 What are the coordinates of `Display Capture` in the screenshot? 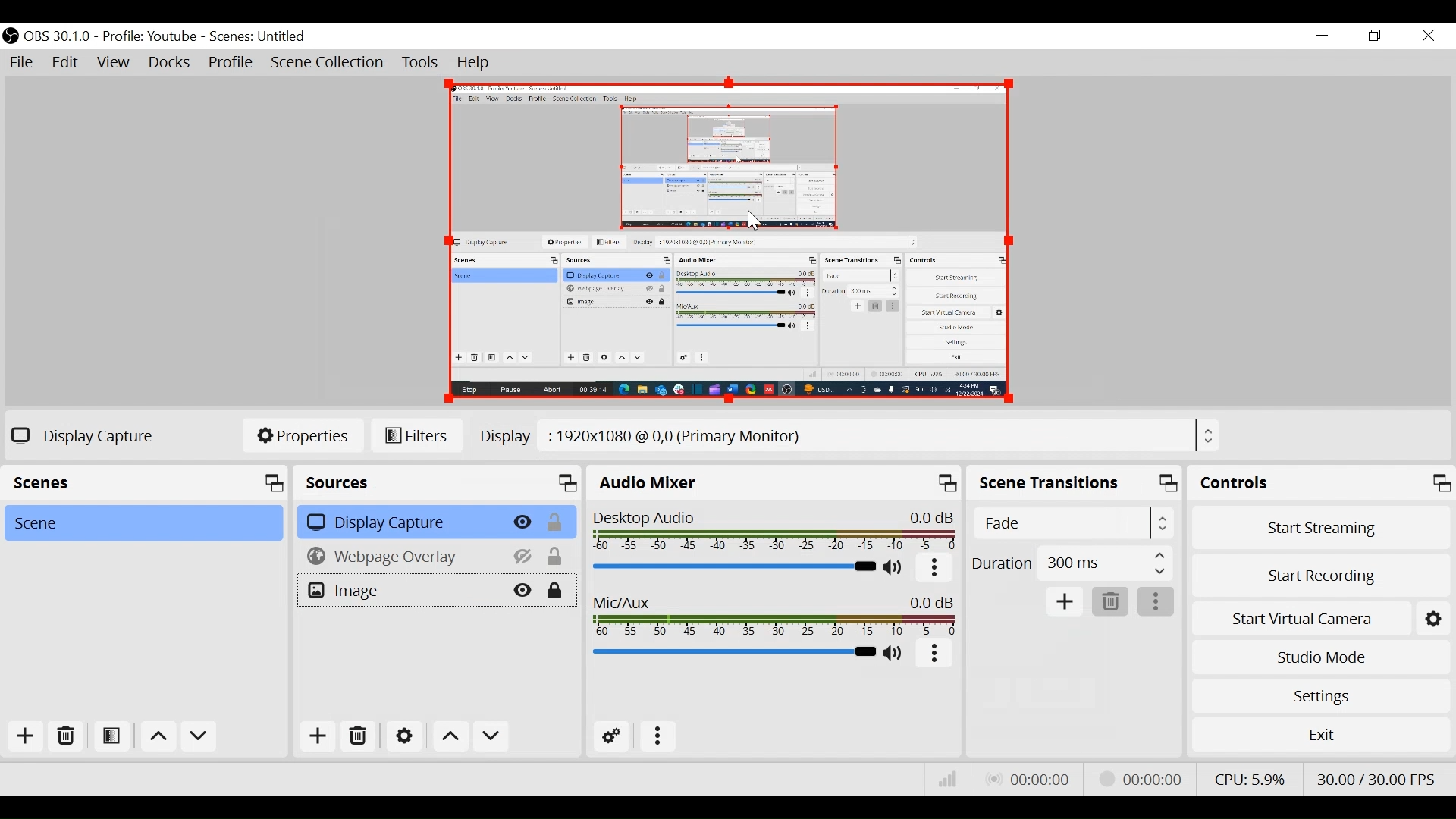 It's located at (397, 522).